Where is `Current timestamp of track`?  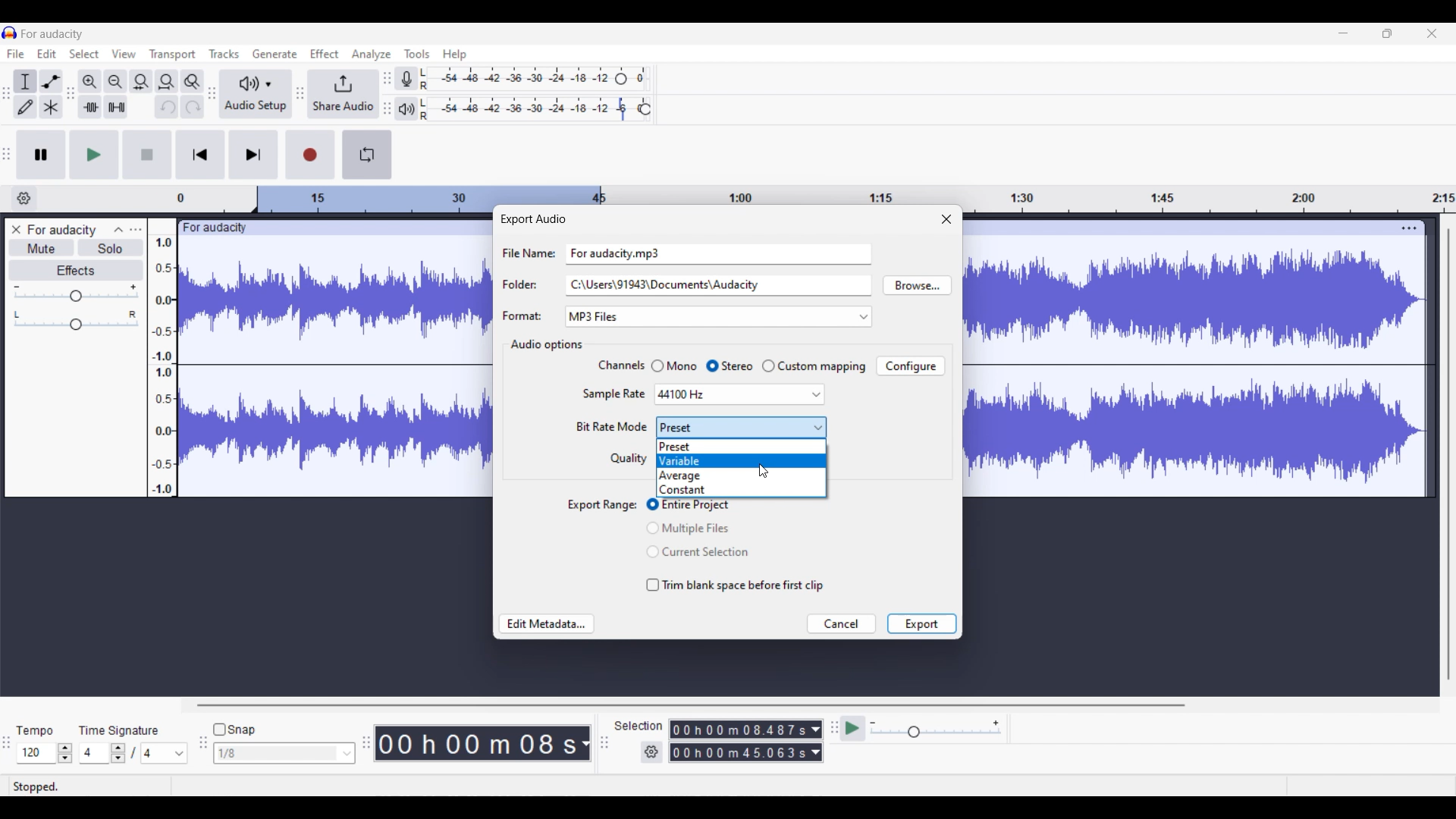
Current timestamp of track is located at coordinates (473, 743).